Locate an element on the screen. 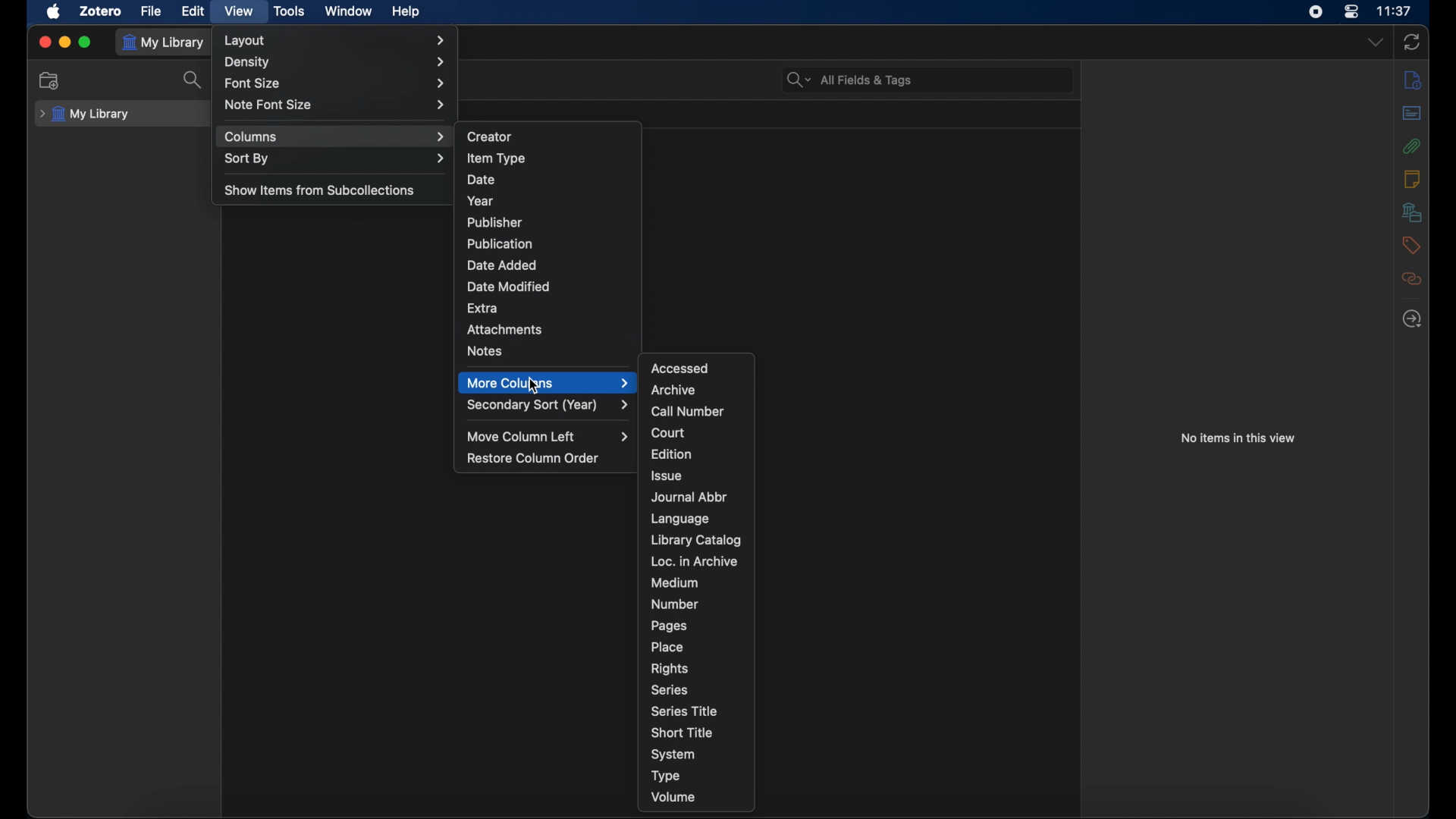  dropdown is located at coordinates (1374, 41).